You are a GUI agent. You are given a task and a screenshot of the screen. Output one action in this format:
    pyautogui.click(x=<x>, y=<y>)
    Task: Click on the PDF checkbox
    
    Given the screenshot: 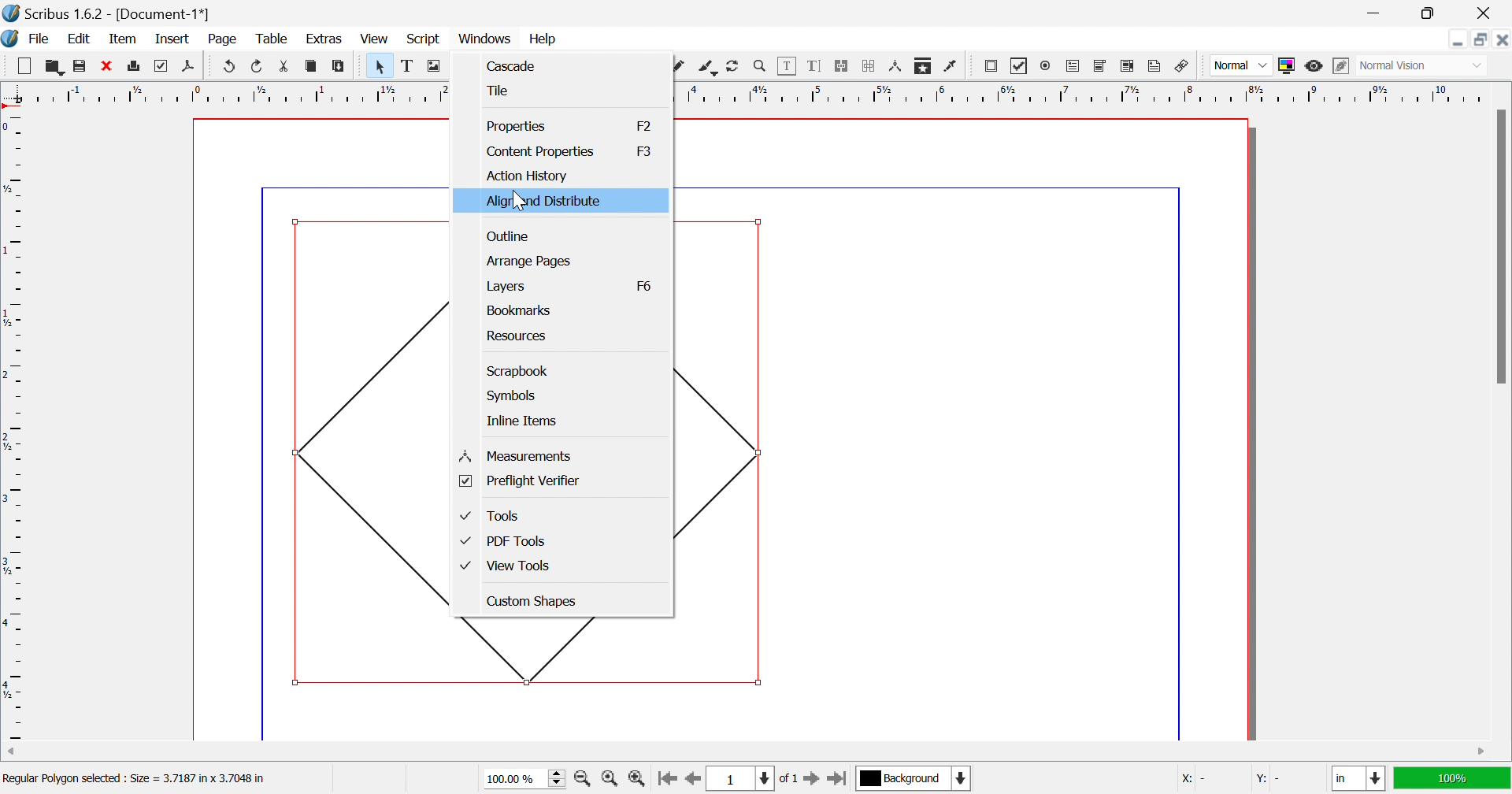 What is the action you would take?
    pyautogui.click(x=1019, y=66)
    